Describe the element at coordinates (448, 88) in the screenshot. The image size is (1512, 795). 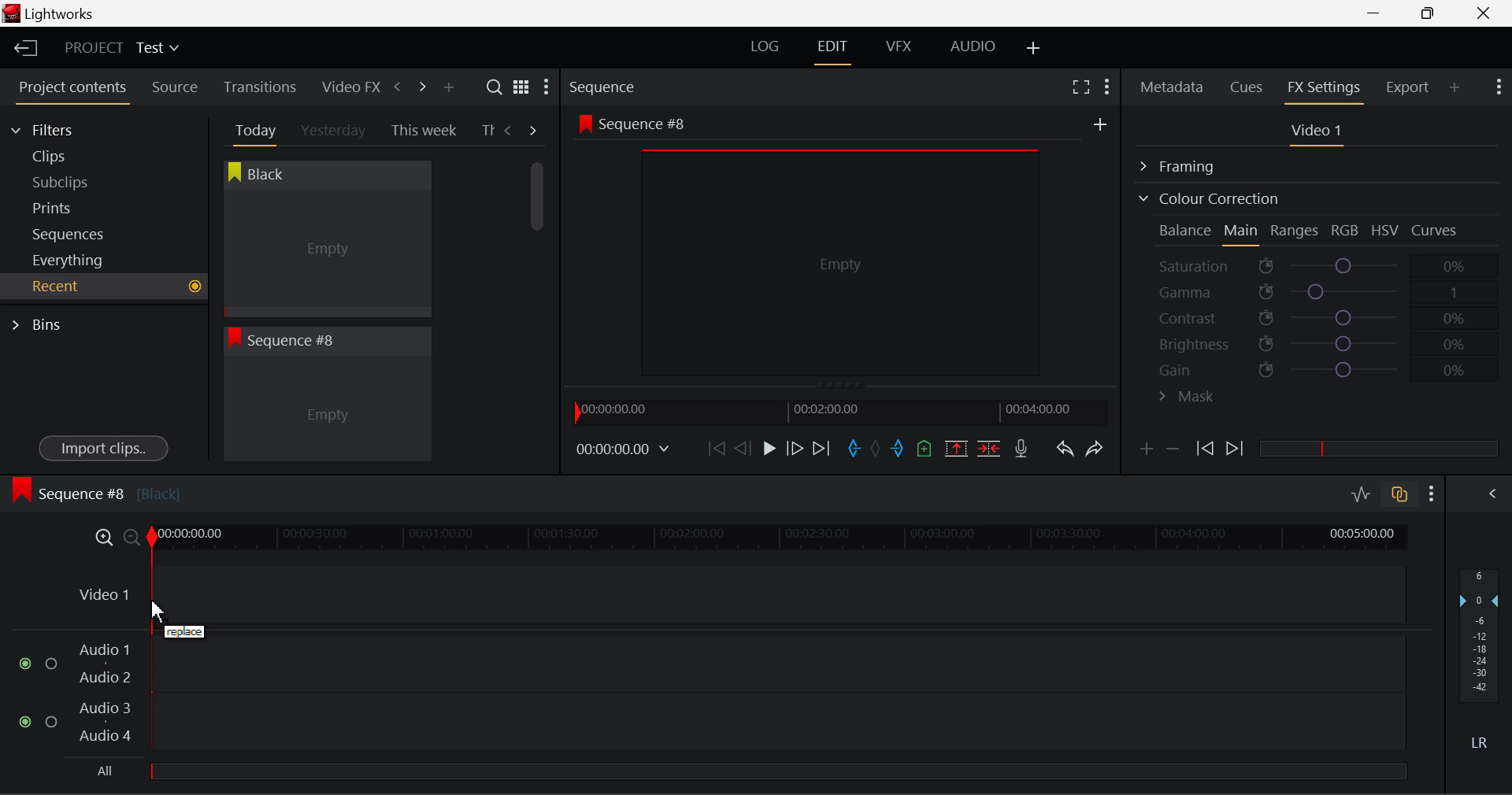
I see `Add Panel` at that location.